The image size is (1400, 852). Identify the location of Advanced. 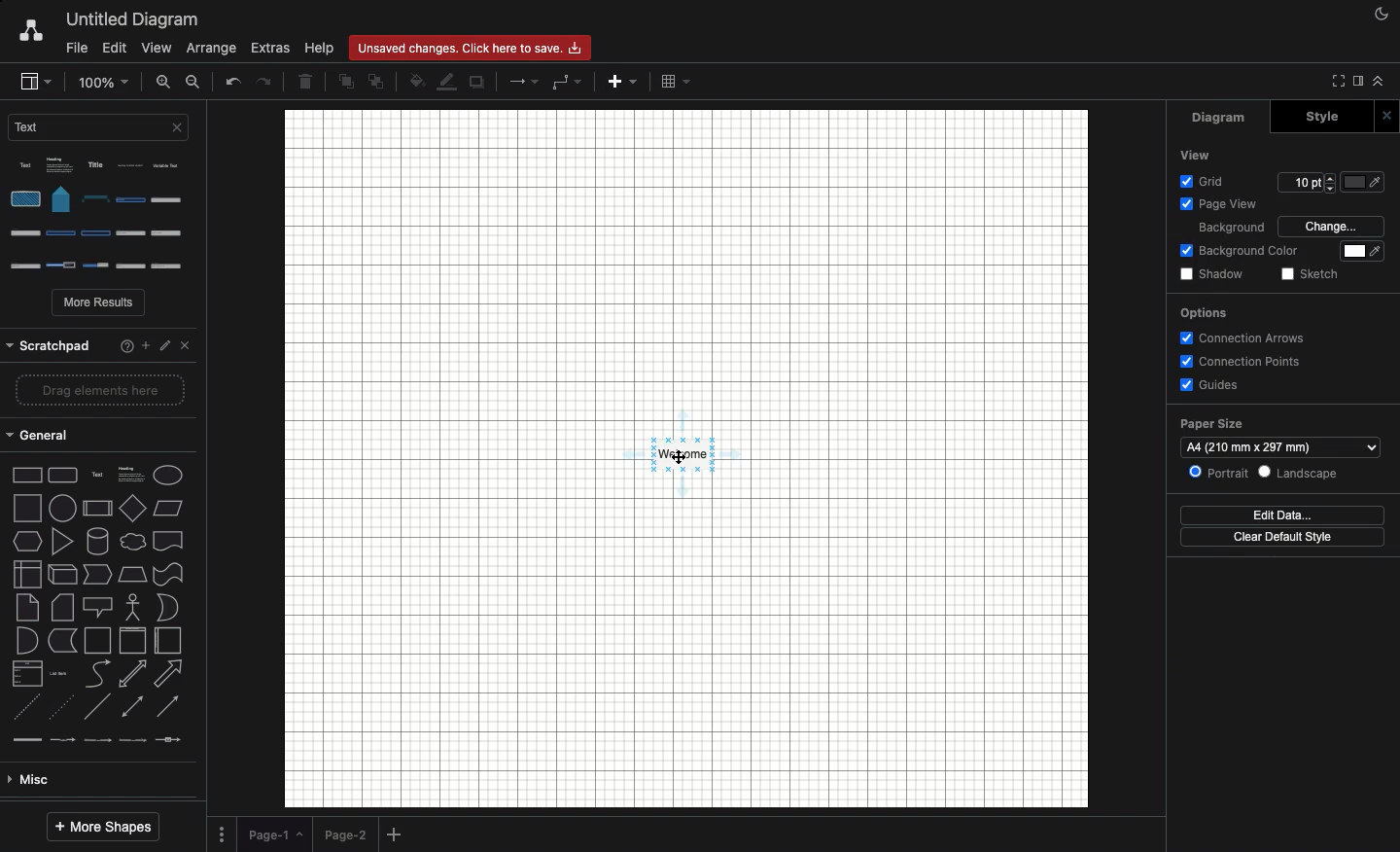
(94, 639).